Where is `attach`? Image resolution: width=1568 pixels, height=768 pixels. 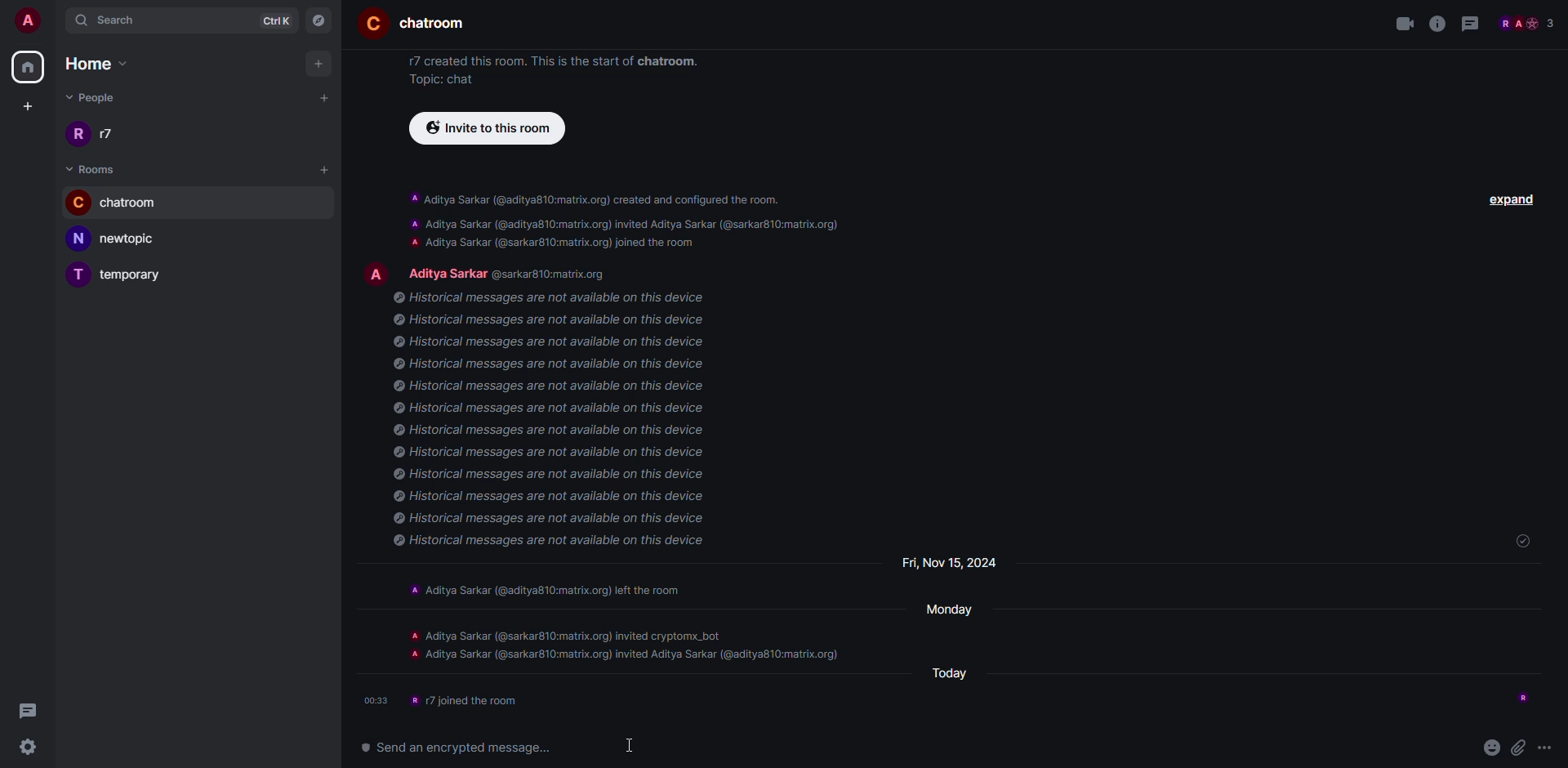
attach is located at coordinates (1521, 744).